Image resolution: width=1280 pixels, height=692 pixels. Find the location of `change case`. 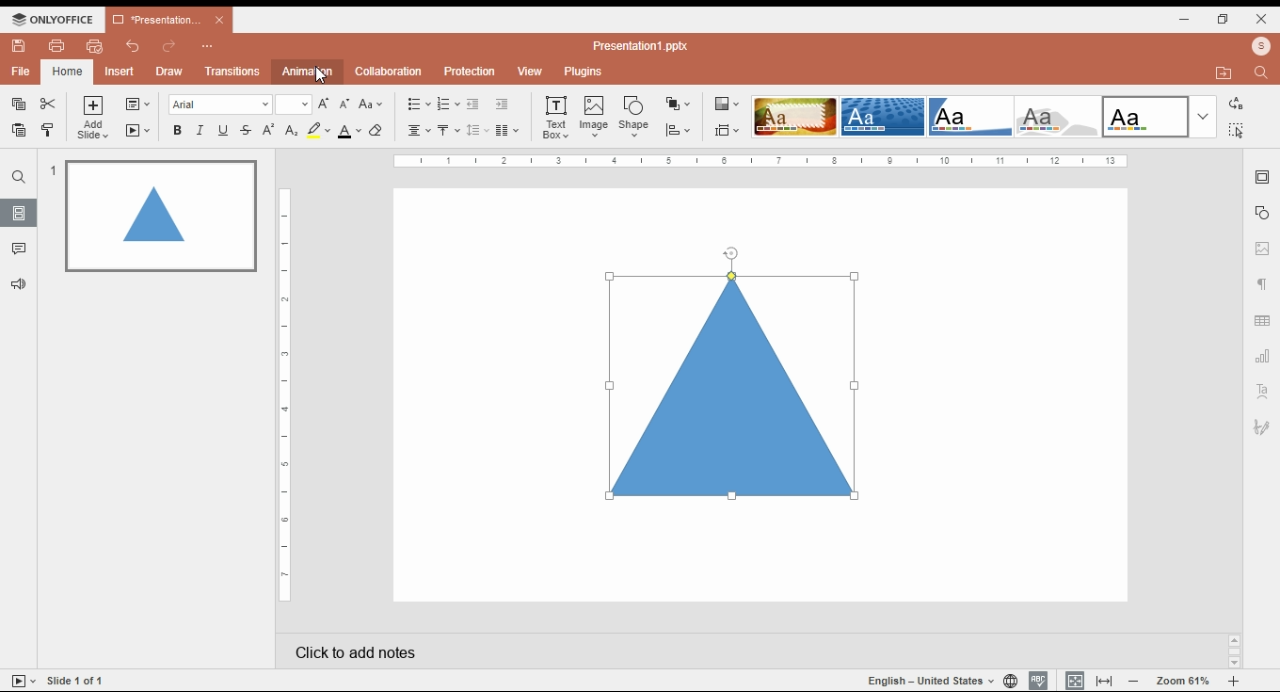

change case is located at coordinates (372, 104).